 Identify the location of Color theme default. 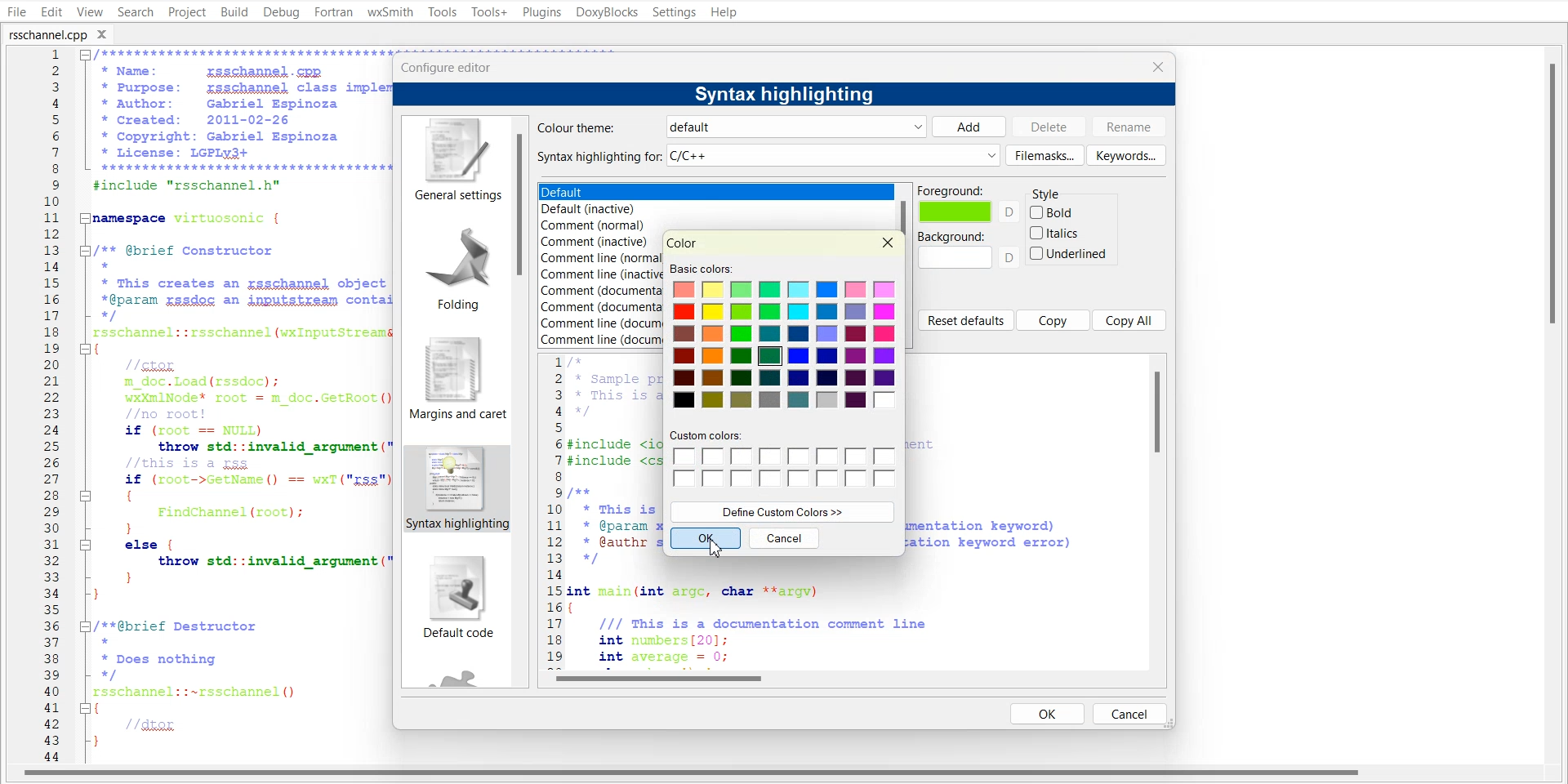
(728, 127).